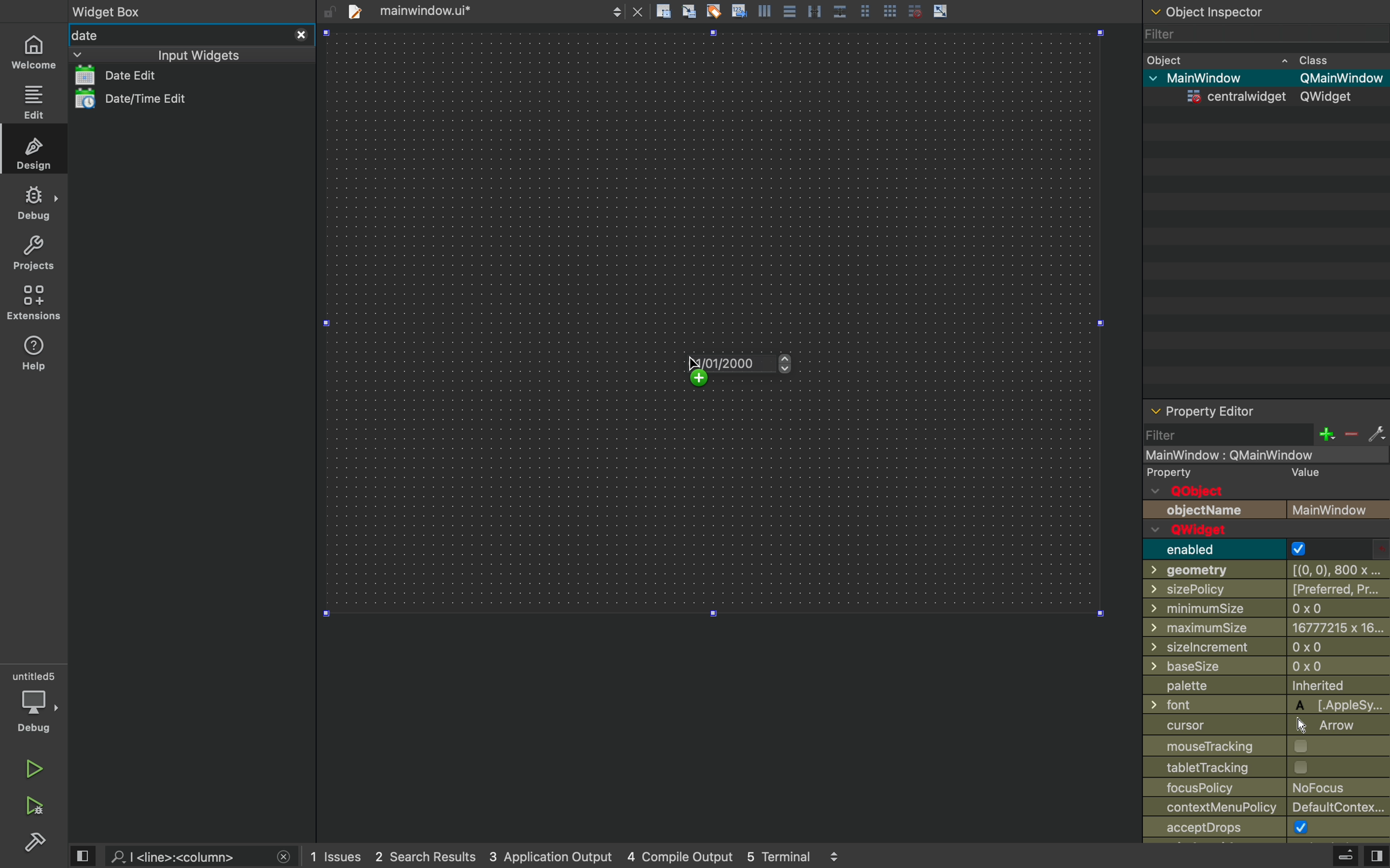 The image size is (1390, 868). Describe the element at coordinates (1266, 768) in the screenshot. I see `tabletracking` at that location.